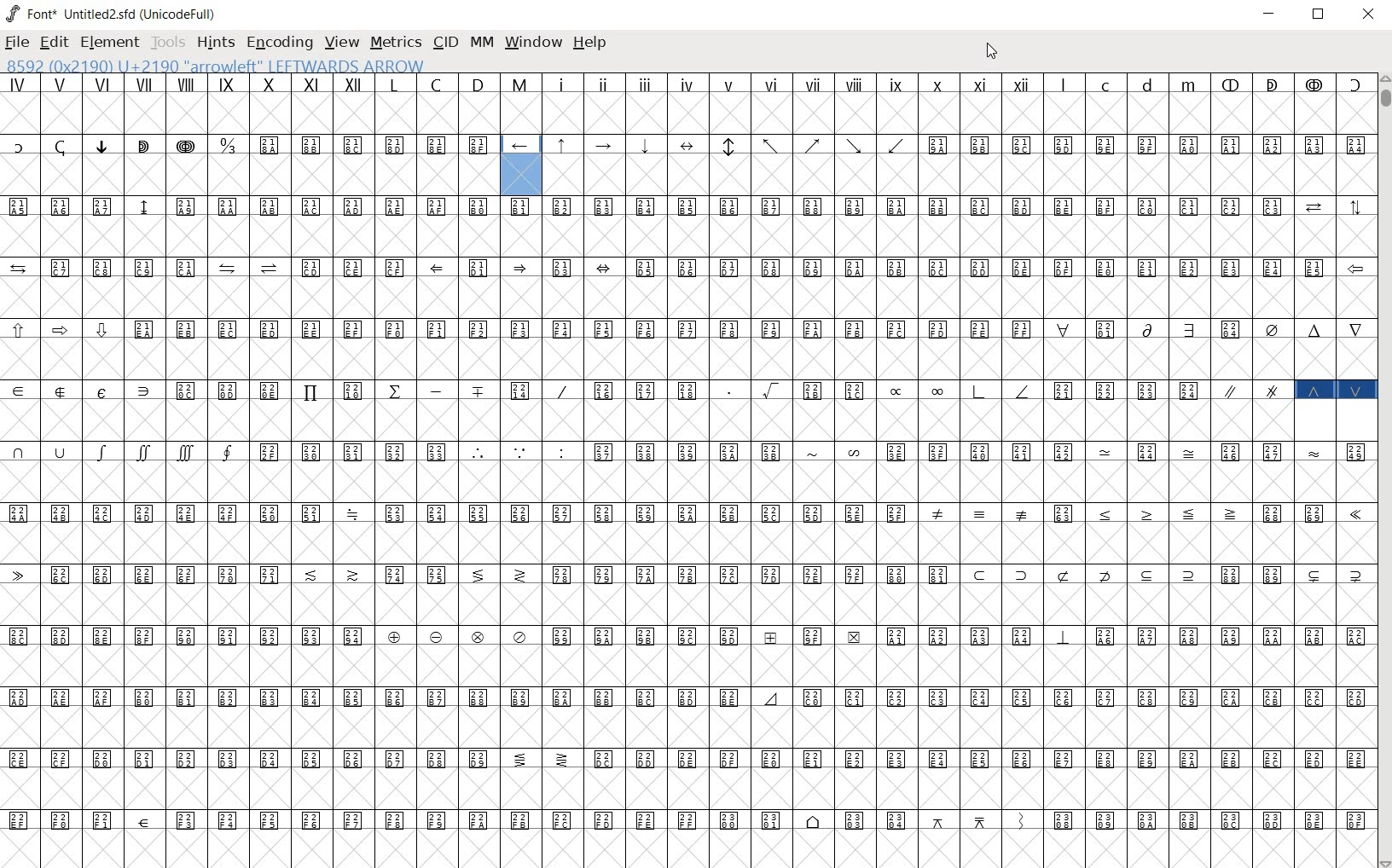  I want to click on minimize, so click(1270, 14).